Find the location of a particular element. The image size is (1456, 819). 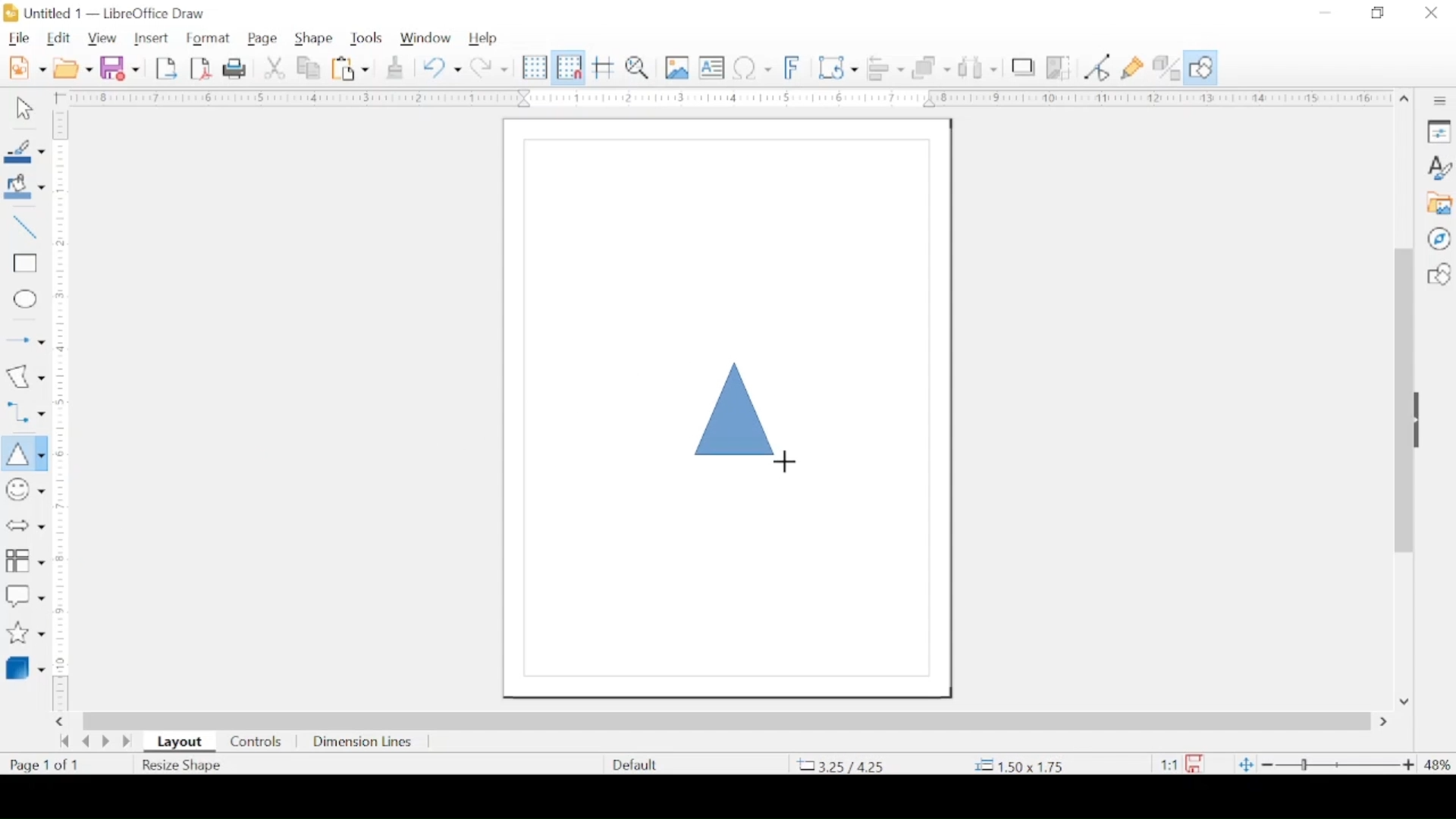

drag handle is located at coordinates (1423, 421).